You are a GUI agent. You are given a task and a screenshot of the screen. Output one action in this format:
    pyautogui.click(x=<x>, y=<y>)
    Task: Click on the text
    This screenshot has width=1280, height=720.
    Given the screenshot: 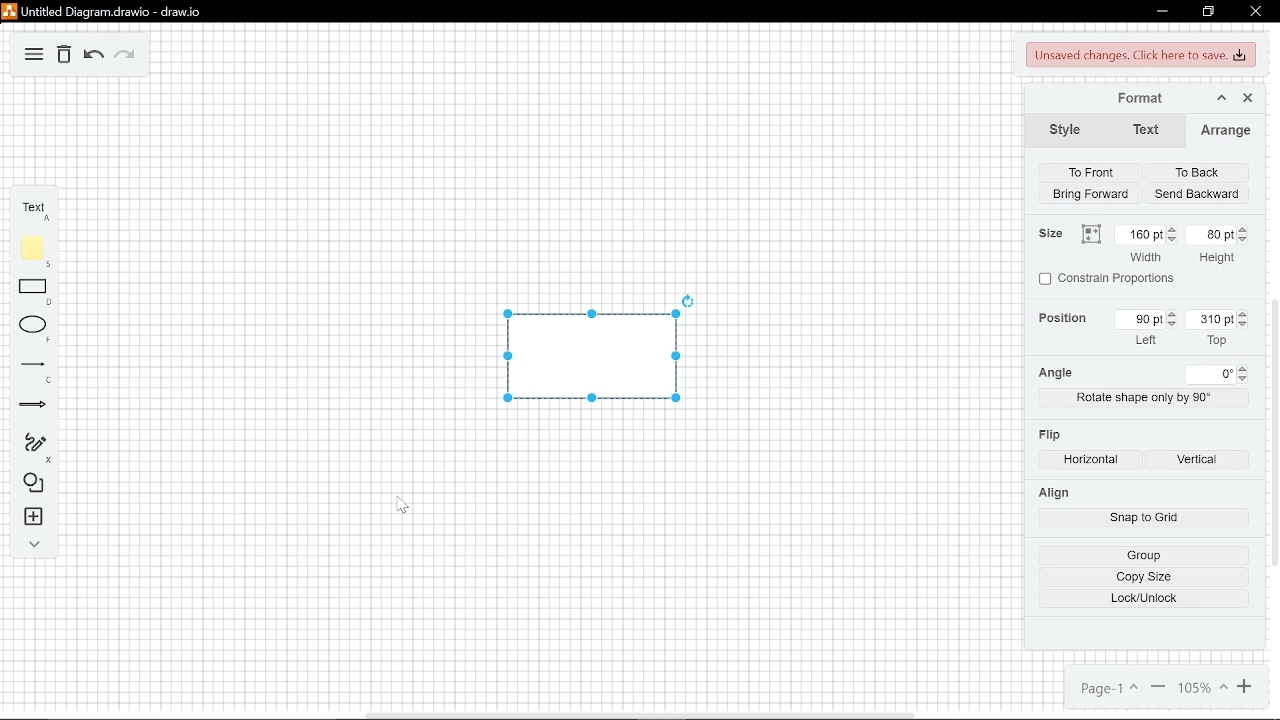 What is the action you would take?
    pyautogui.click(x=38, y=213)
    